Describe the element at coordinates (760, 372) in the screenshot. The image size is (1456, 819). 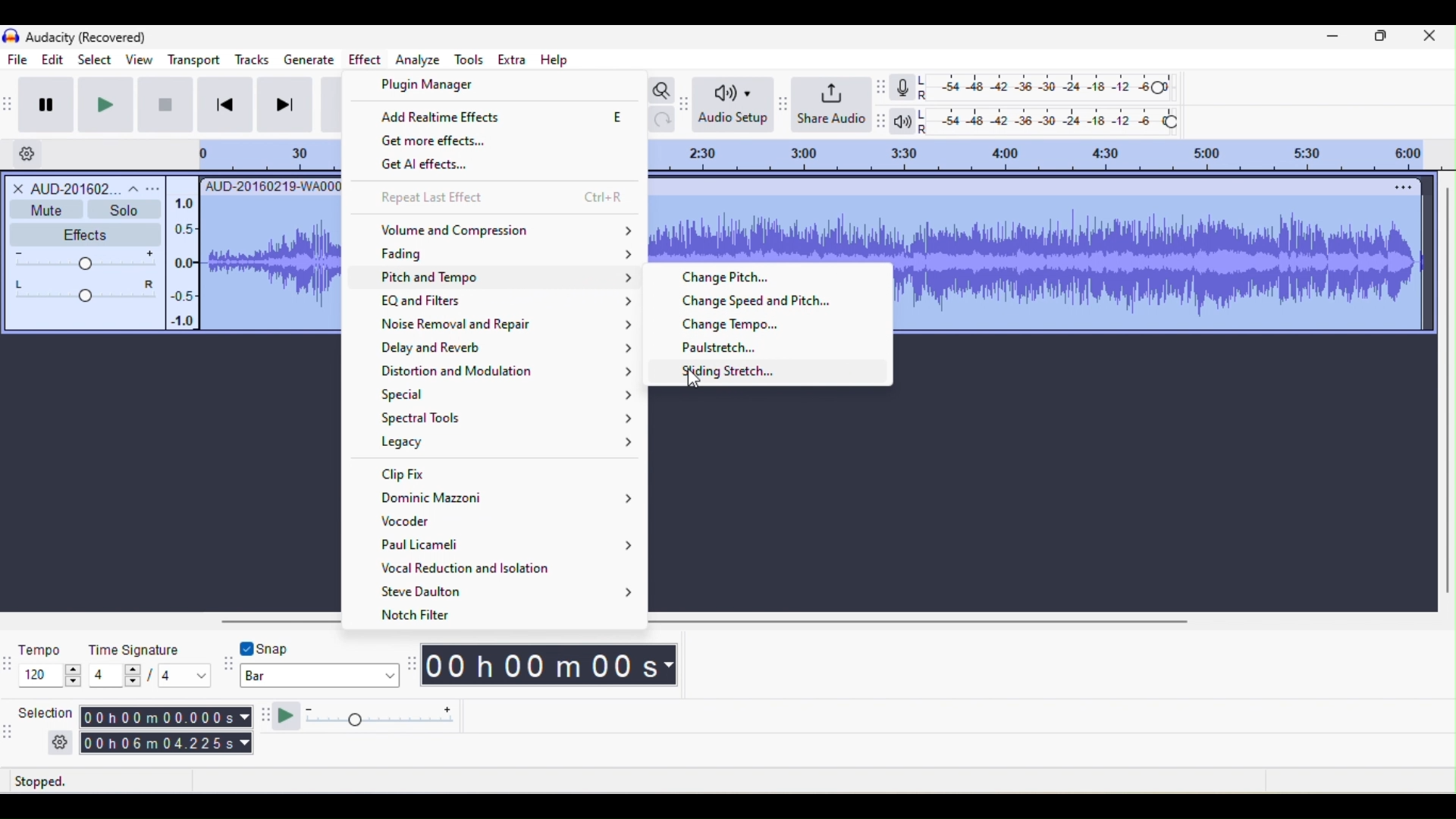
I see `sliding stretch` at that location.